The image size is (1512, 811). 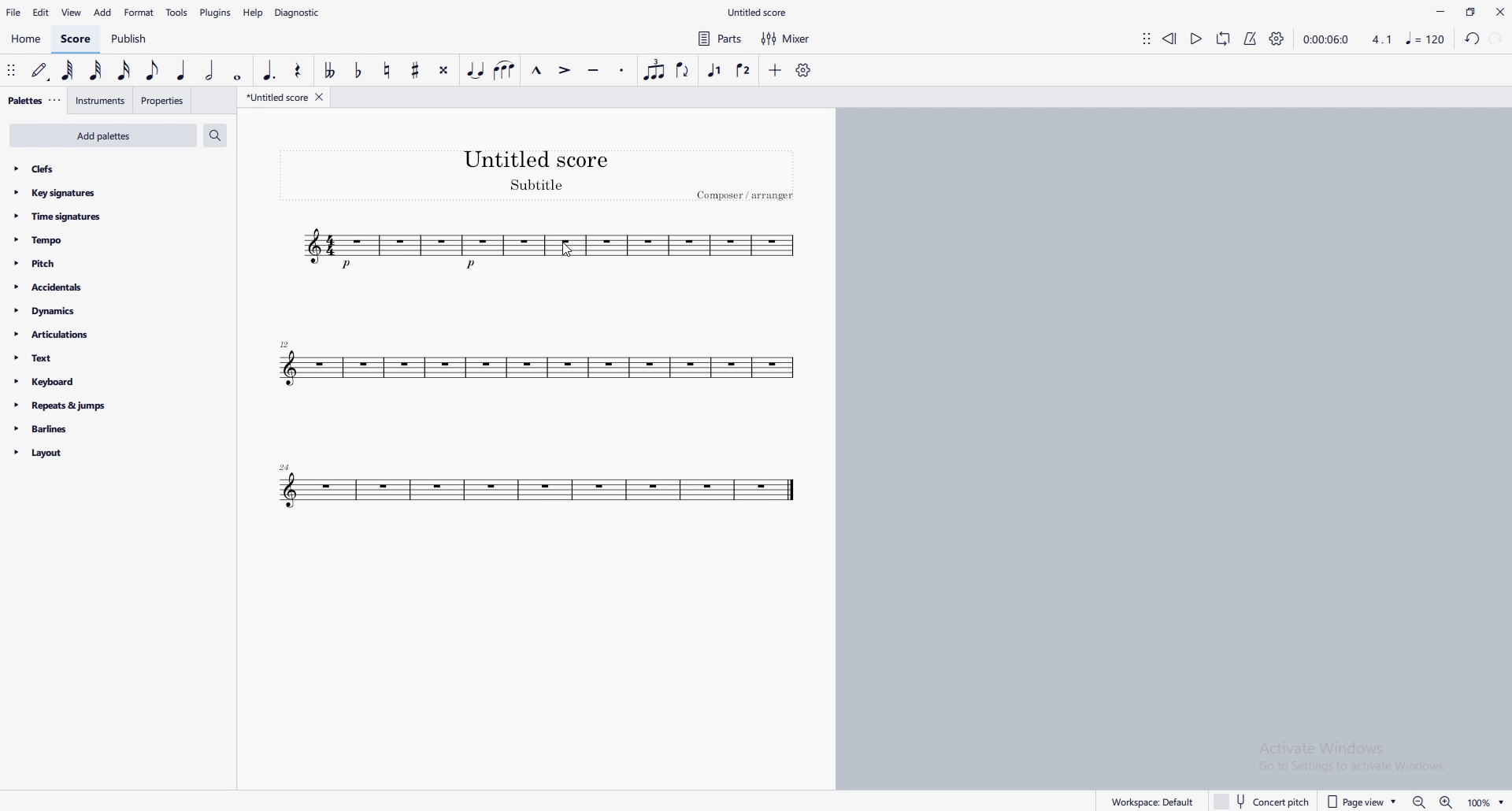 I want to click on add, so click(x=775, y=71).